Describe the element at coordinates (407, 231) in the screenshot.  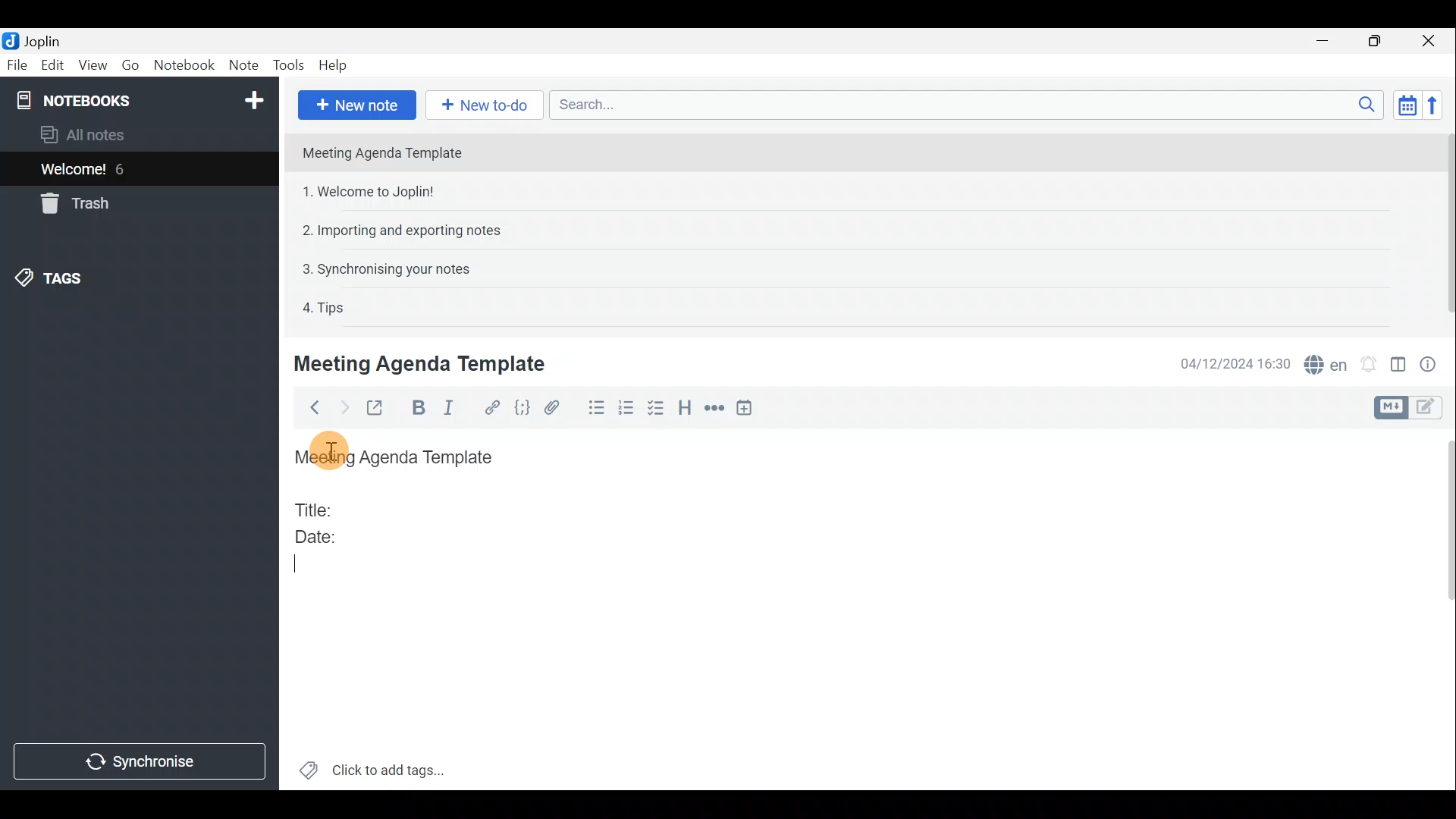
I see `2. Importing and exporting notes` at that location.